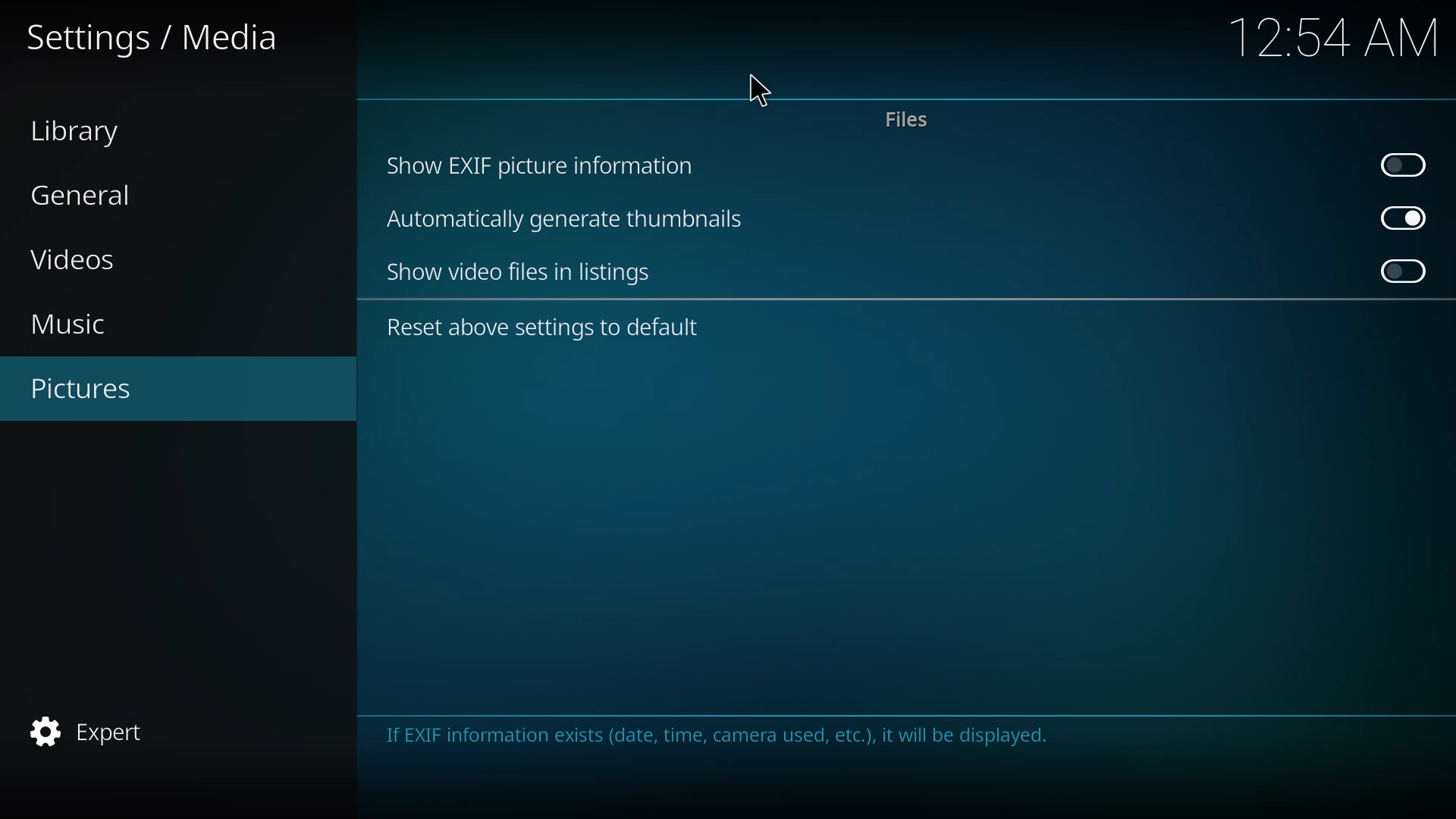 This screenshot has width=1456, height=819. What do you see at coordinates (1403, 218) in the screenshot?
I see `enabled` at bounding box center [1403, 218].